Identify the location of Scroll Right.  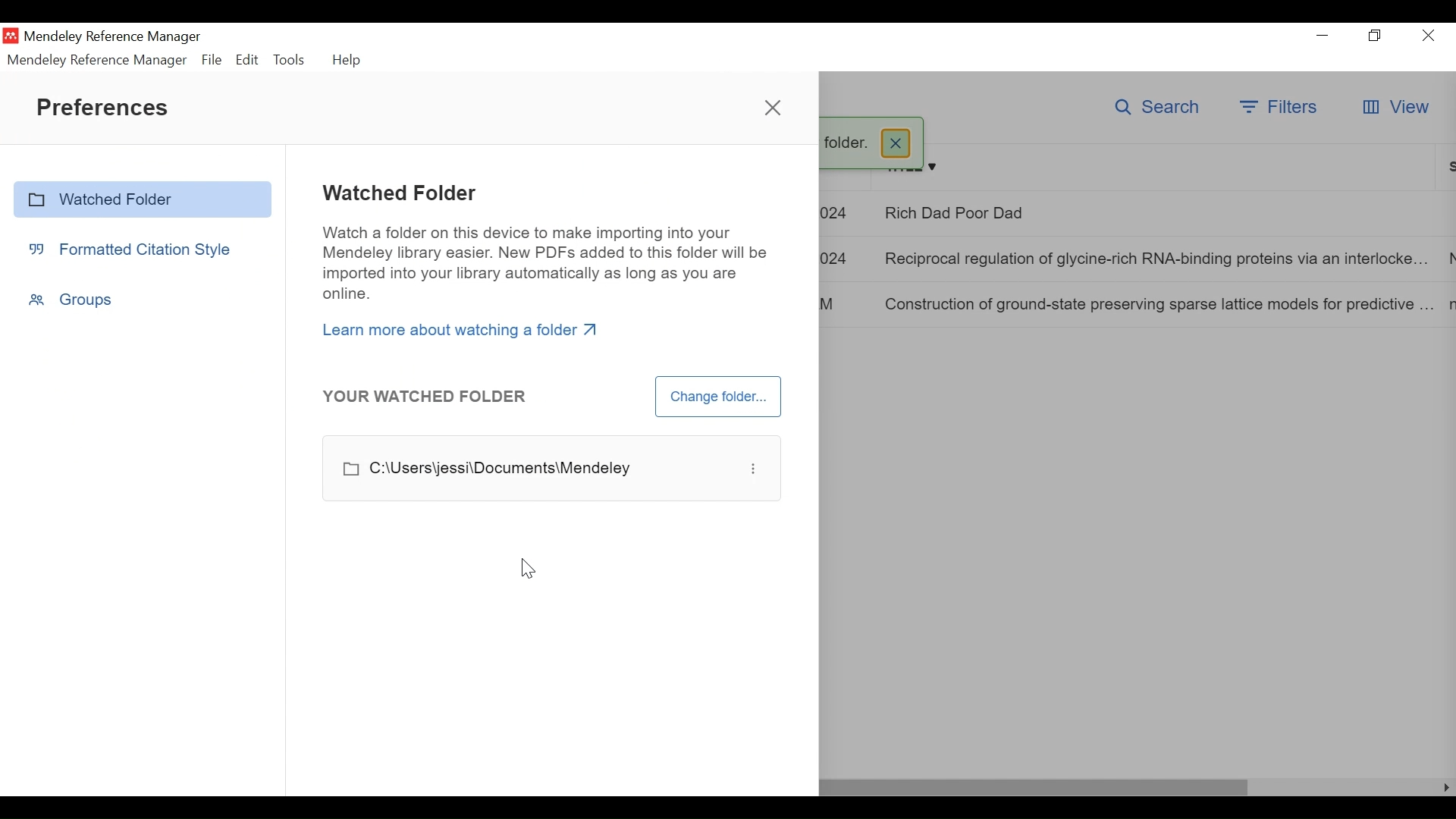
(1444, 788).